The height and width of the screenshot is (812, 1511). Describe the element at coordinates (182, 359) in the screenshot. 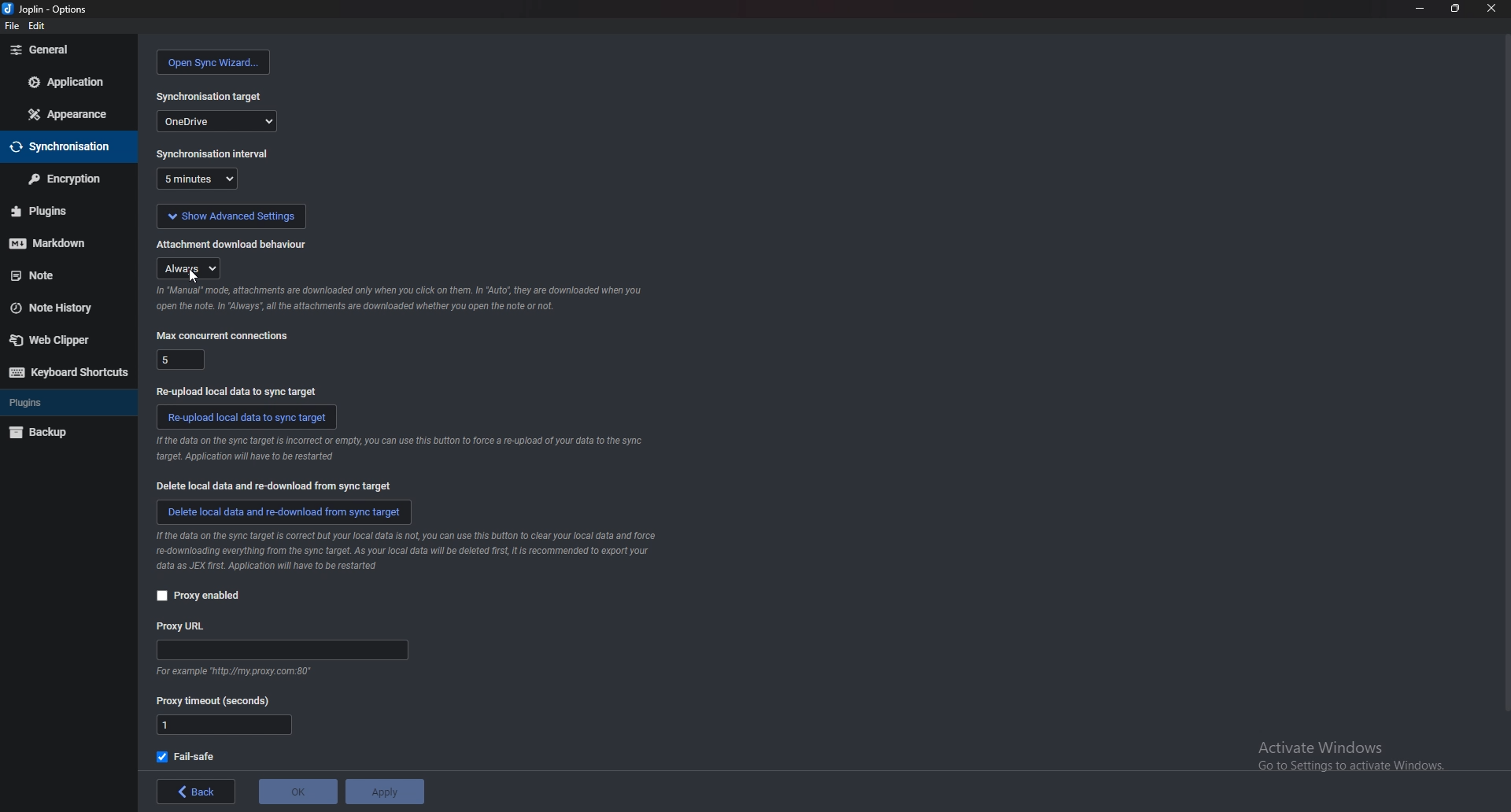

I see `5` at that location.